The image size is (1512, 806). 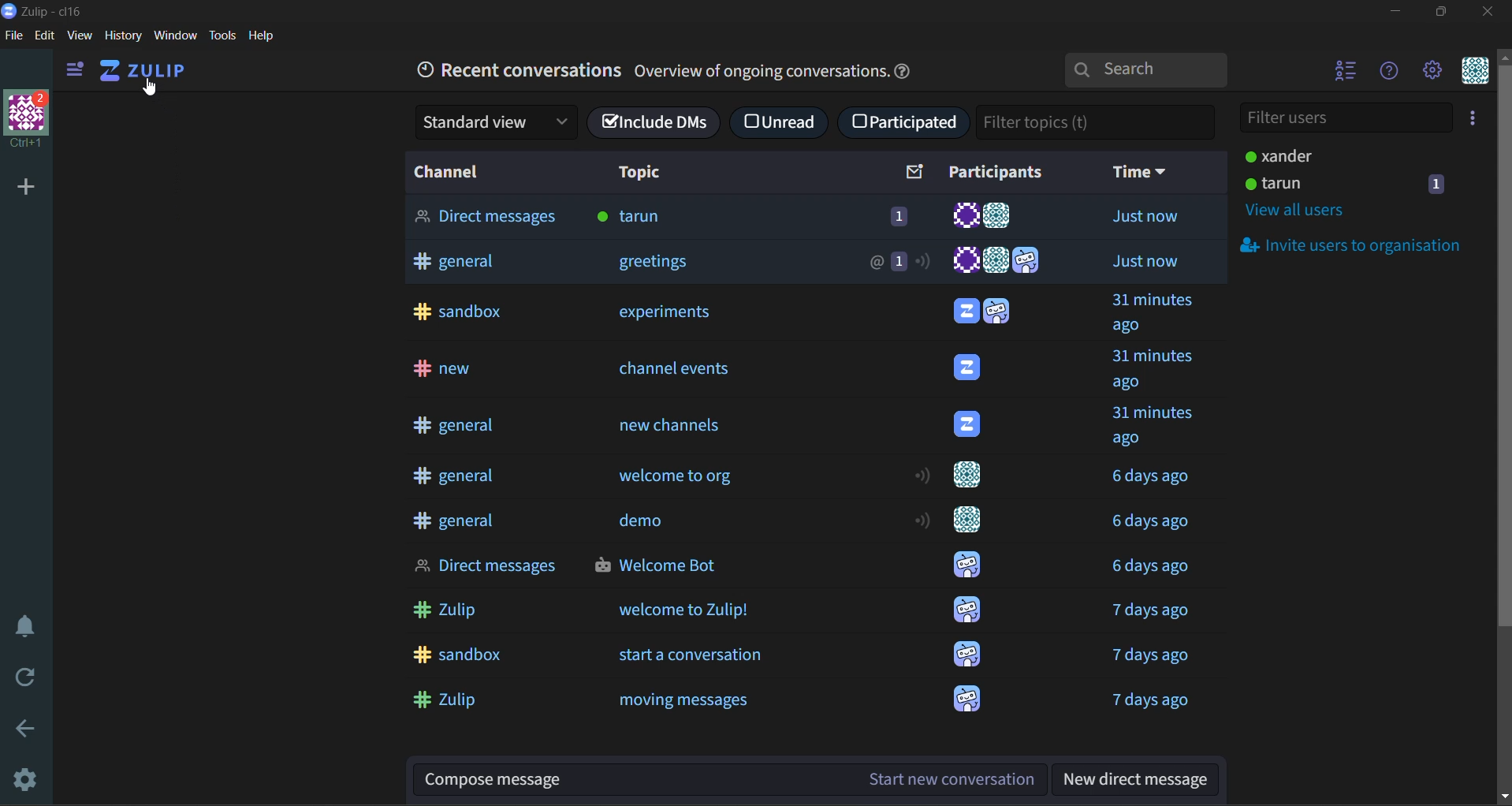 What do you see at coordinates (28, 121) in the screenshot?
I see `organisation profile` at bounding box center [28, 121].